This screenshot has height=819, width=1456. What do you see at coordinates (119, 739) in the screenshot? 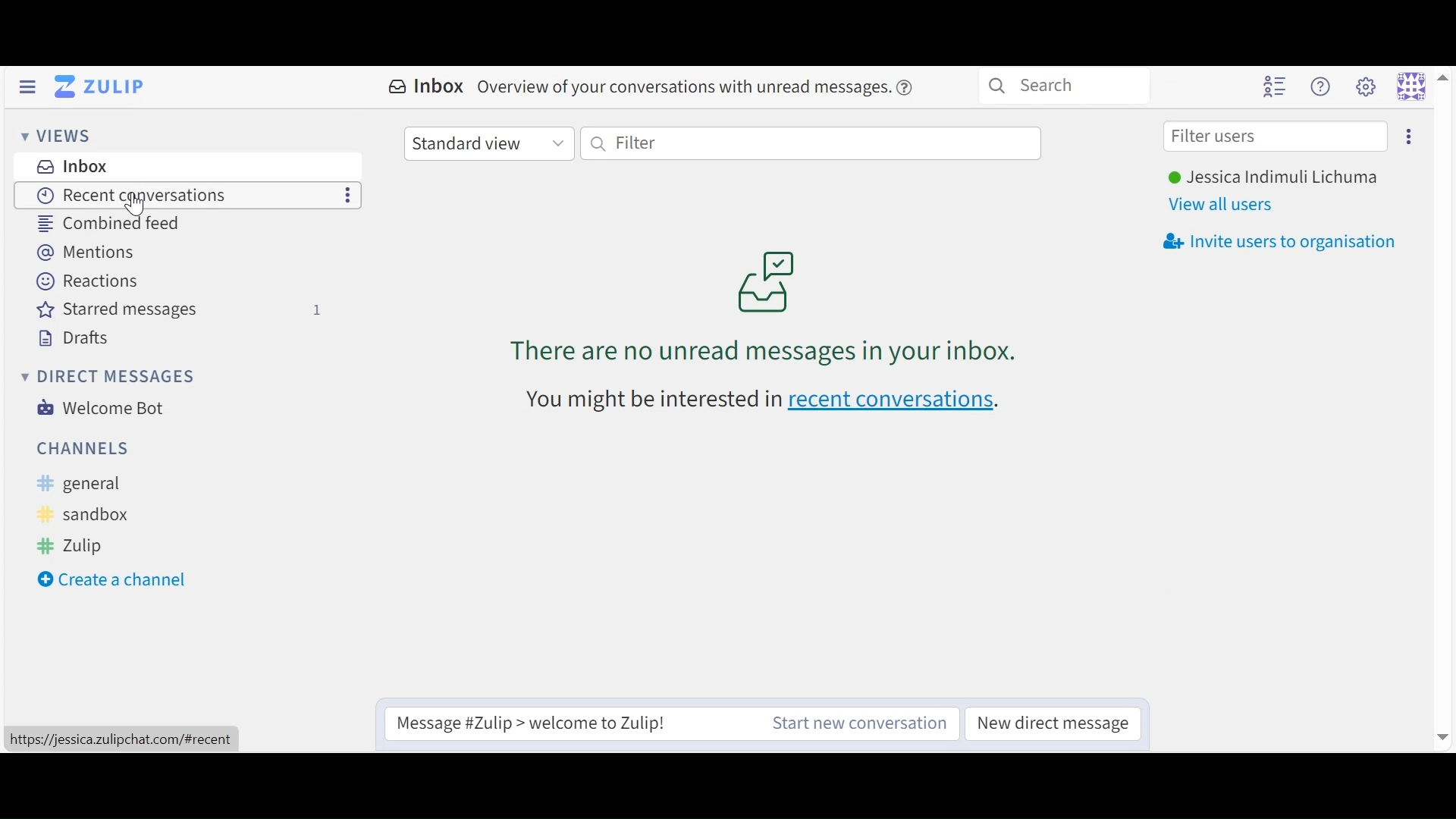
I see `personal url` at bounding box center [119, 739].